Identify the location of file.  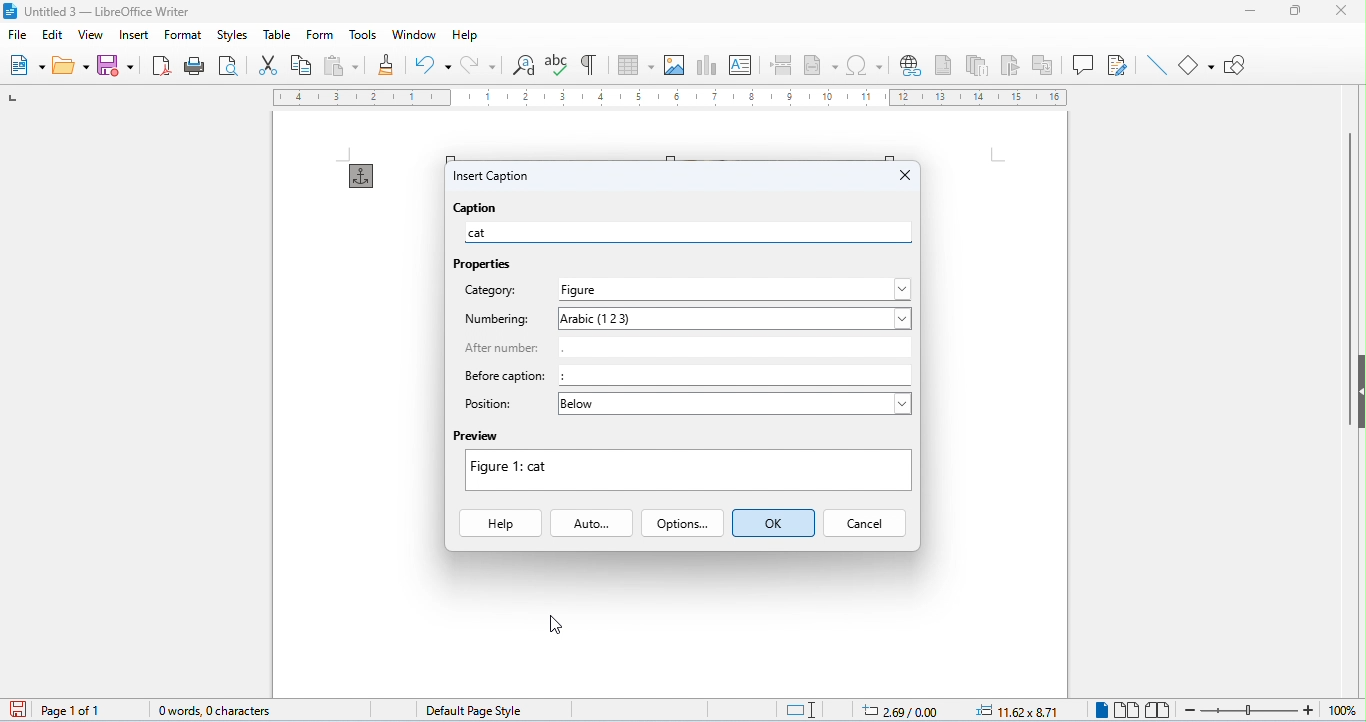
(17, 36).